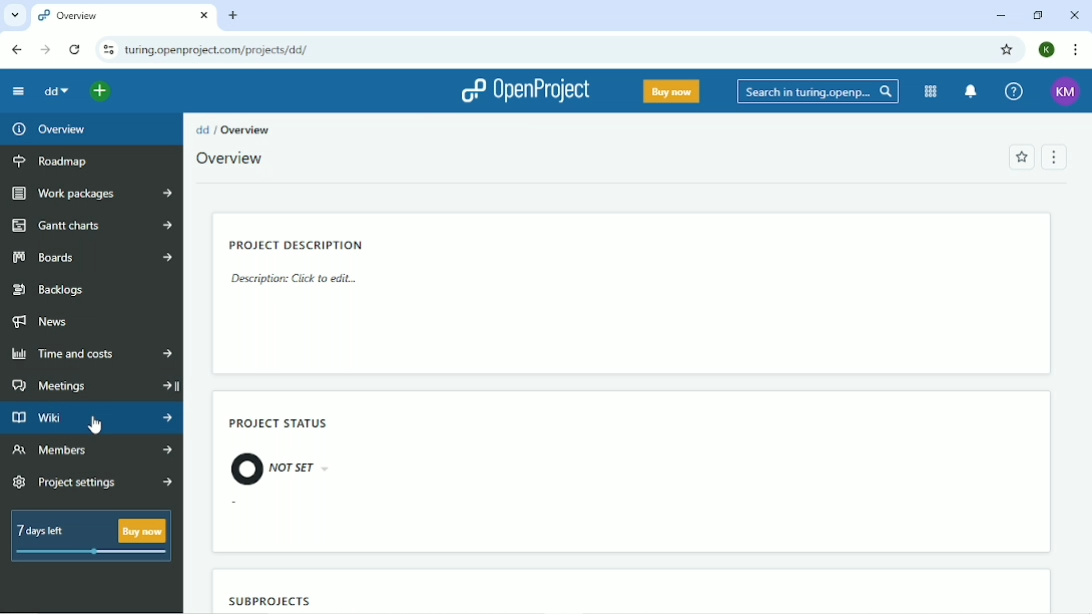 The height and width of the screenshot is (614, 1092). Describe the element at coordinates (1074, 50) in the screenshot. I see `Customize and control google chrome` at that location.